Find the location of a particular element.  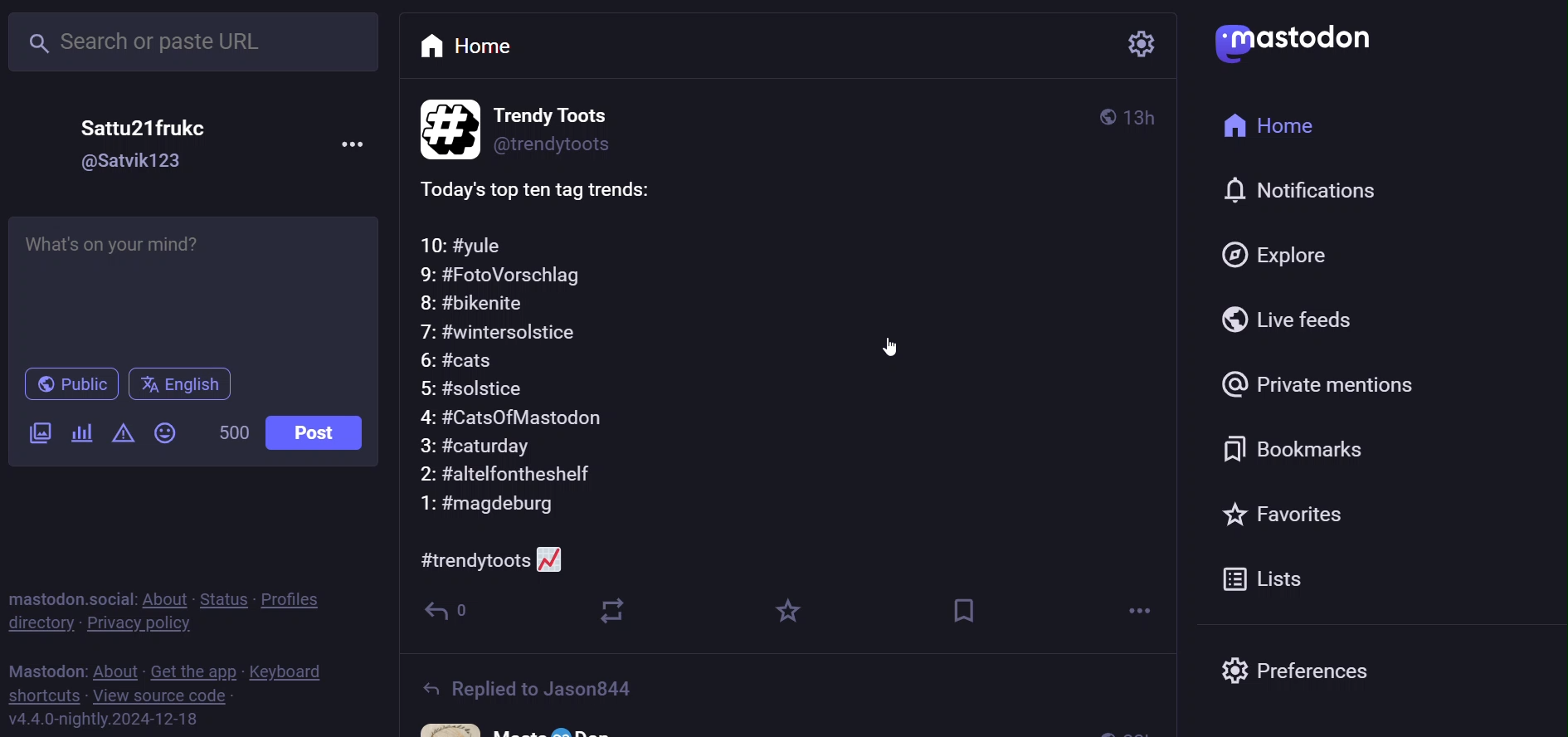

mastodon is located at coordinates (45, 666).